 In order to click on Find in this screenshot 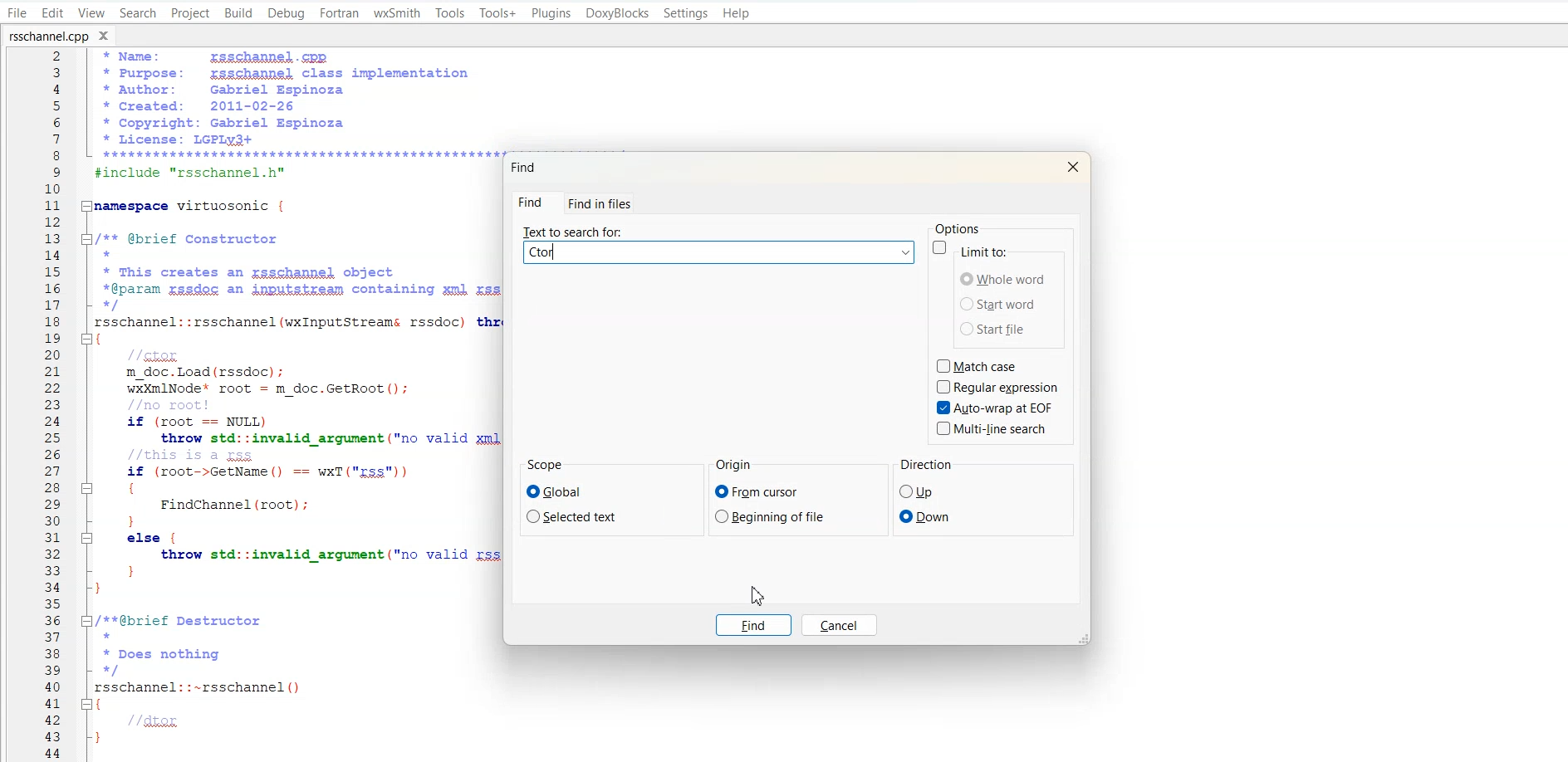, I will do `click(526, 168)`.